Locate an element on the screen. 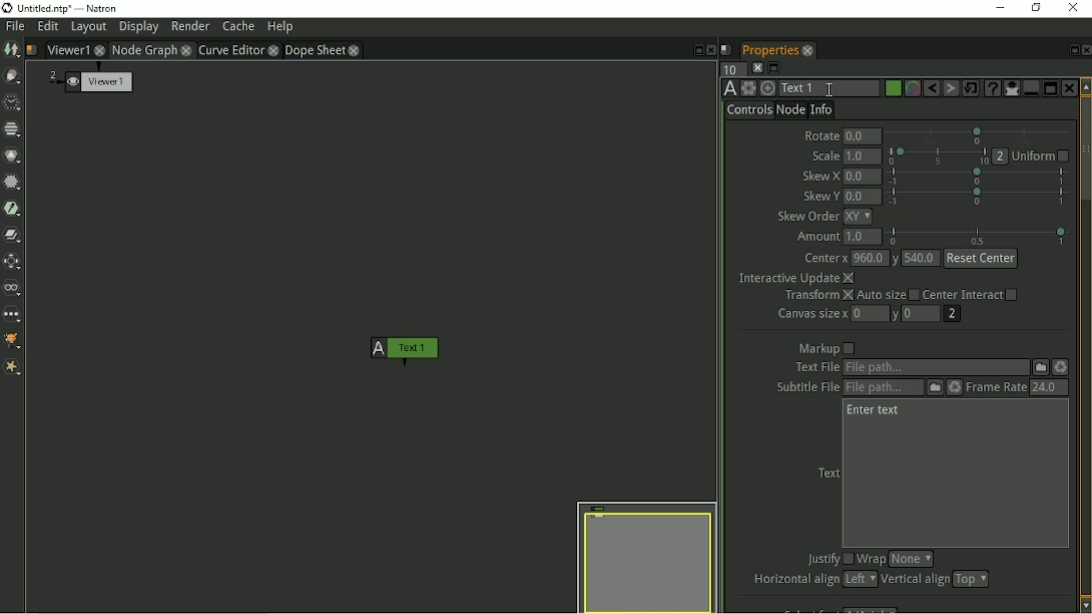  Curve Editor is located at coordinates (231, 50).